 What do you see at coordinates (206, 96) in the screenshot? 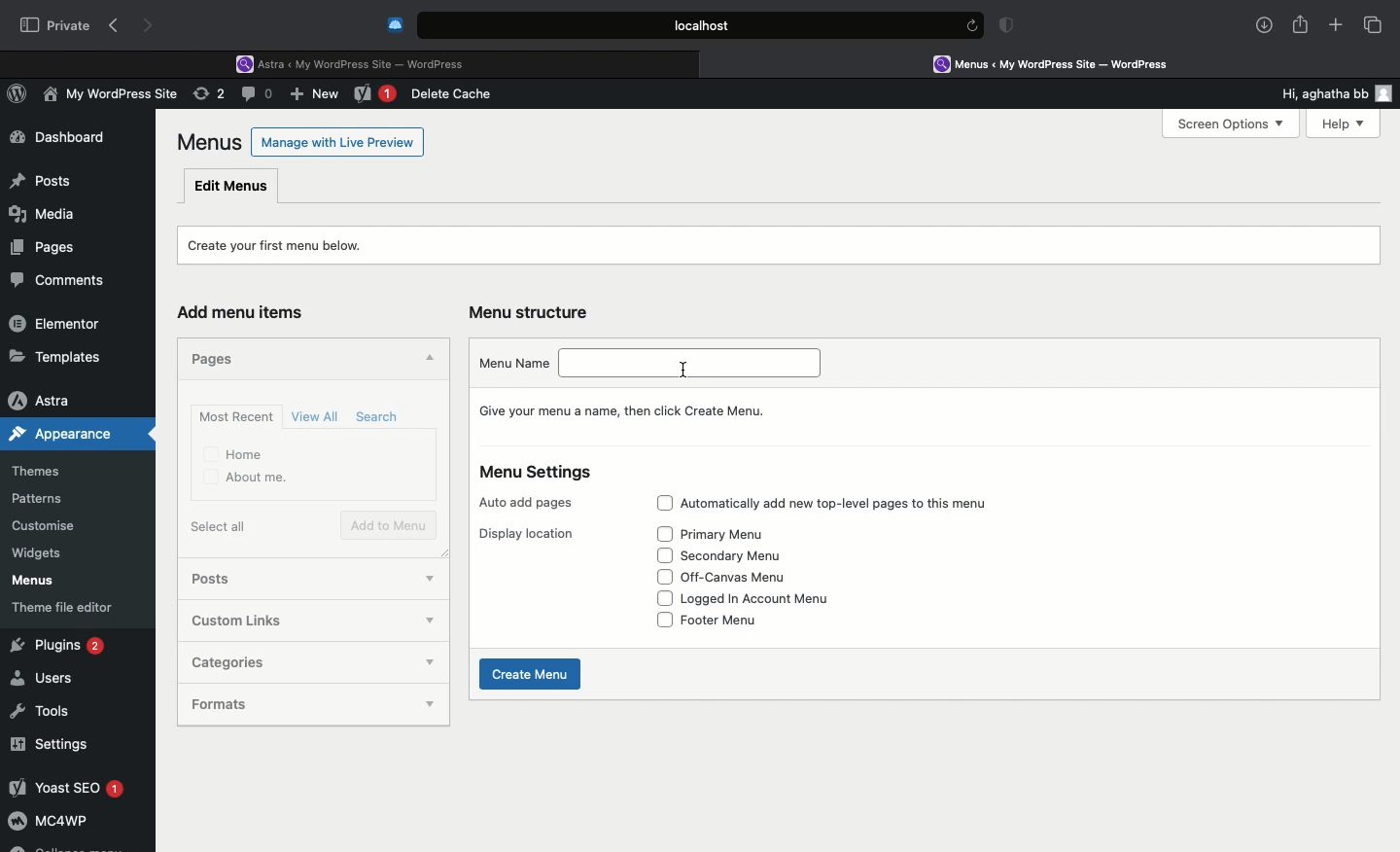
I see `Revision (2)` at bounding box center [206, 96].